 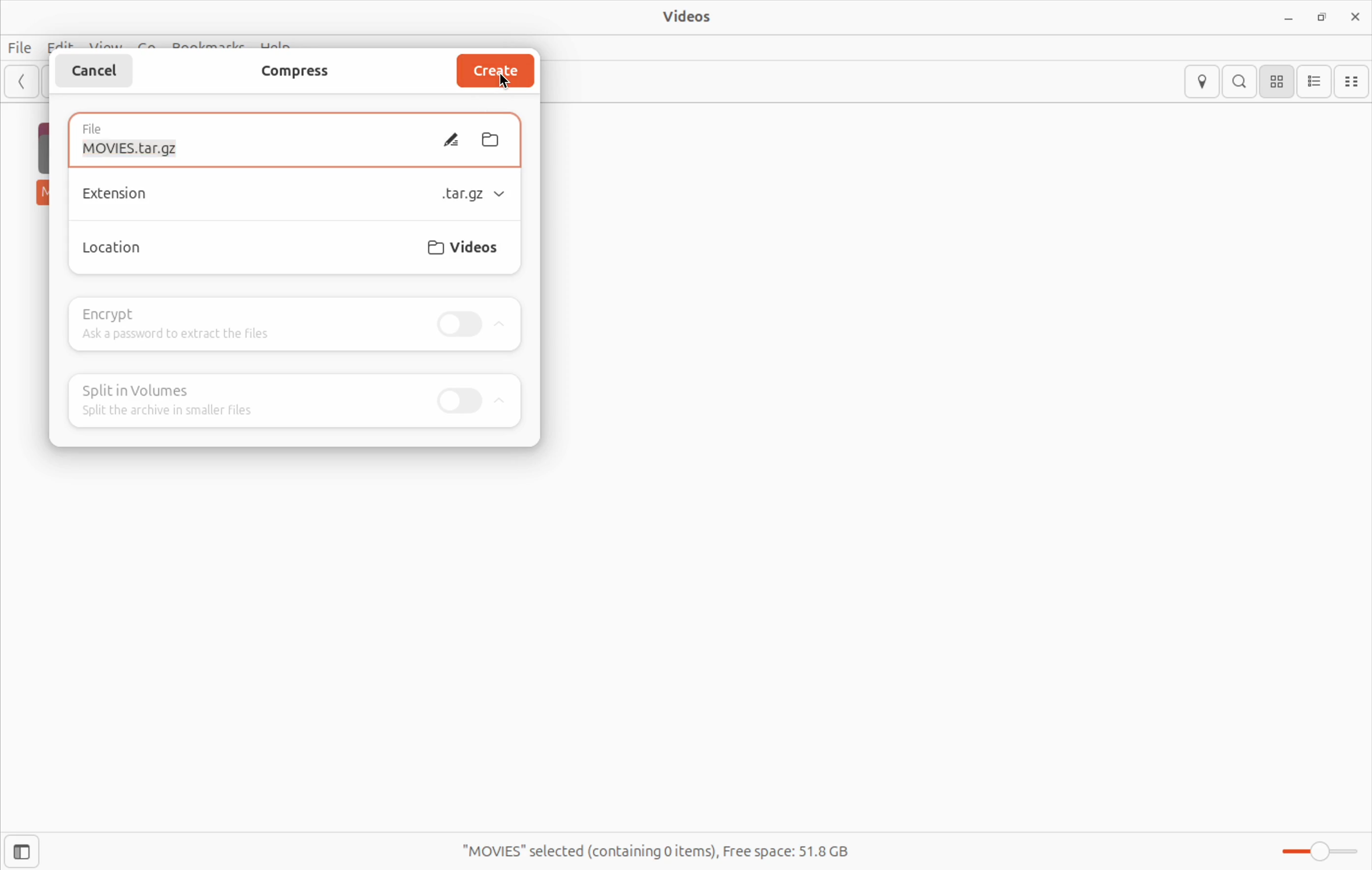 I want to click on videos, so click(x=691, y=18).